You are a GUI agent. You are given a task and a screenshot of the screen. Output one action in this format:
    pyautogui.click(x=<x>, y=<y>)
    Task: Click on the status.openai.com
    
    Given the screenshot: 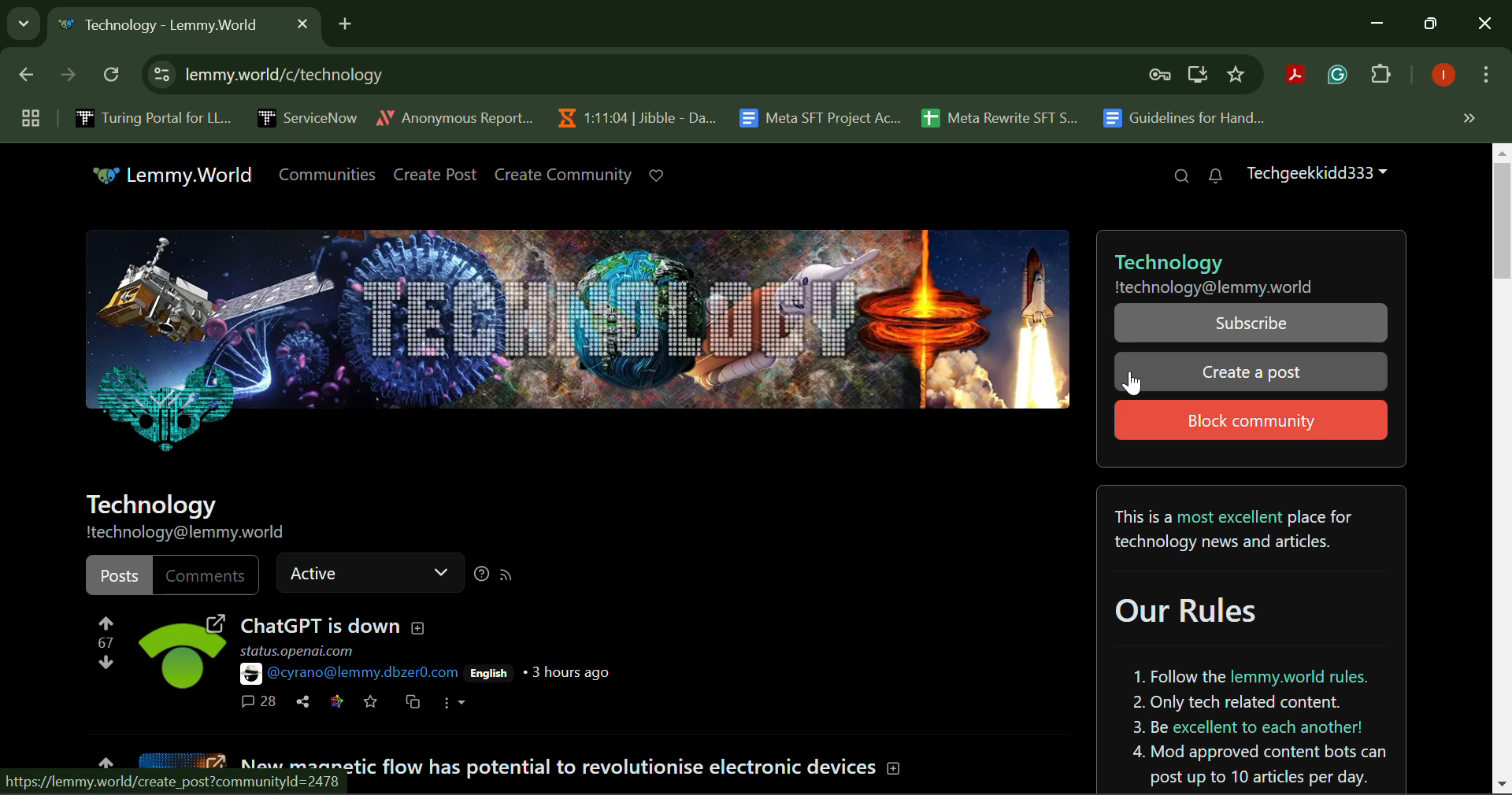 What is the action you would take?
    pyautogui.click(x=296, y=651)
    